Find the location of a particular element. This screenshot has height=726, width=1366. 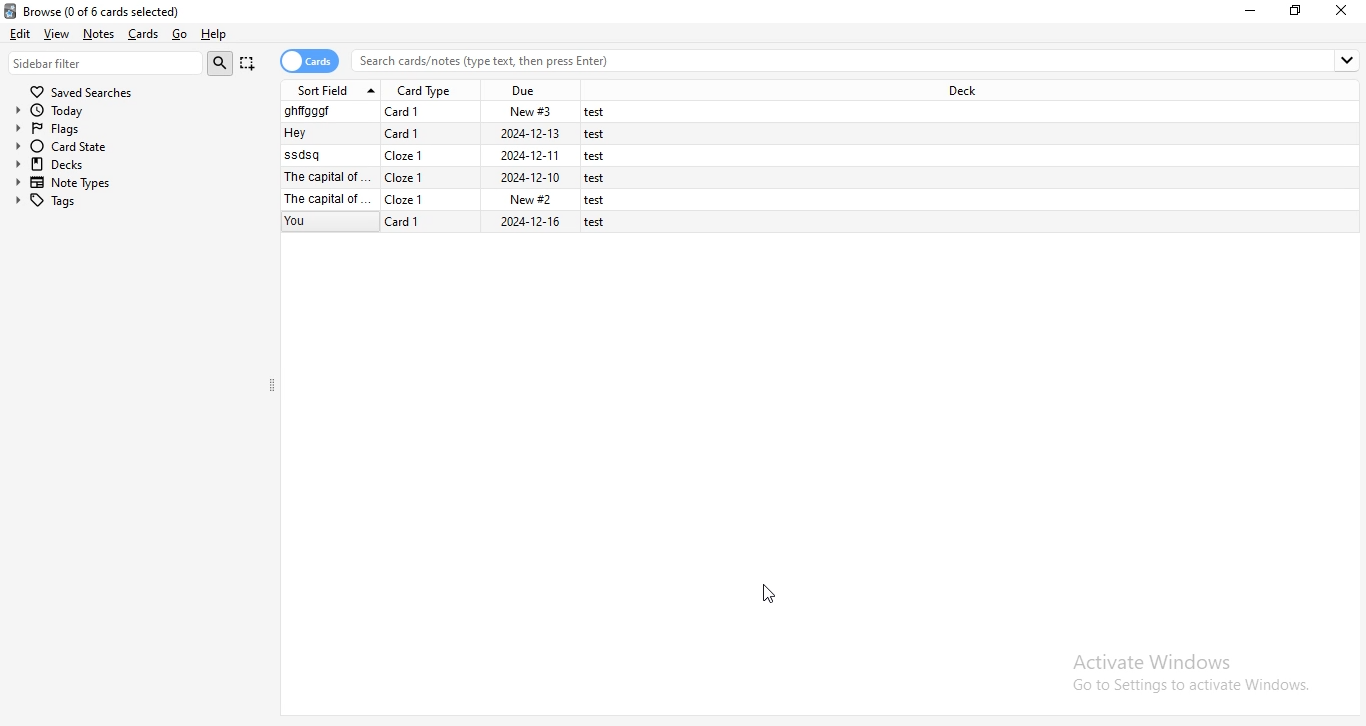

File is located at coordinates (456, 223).